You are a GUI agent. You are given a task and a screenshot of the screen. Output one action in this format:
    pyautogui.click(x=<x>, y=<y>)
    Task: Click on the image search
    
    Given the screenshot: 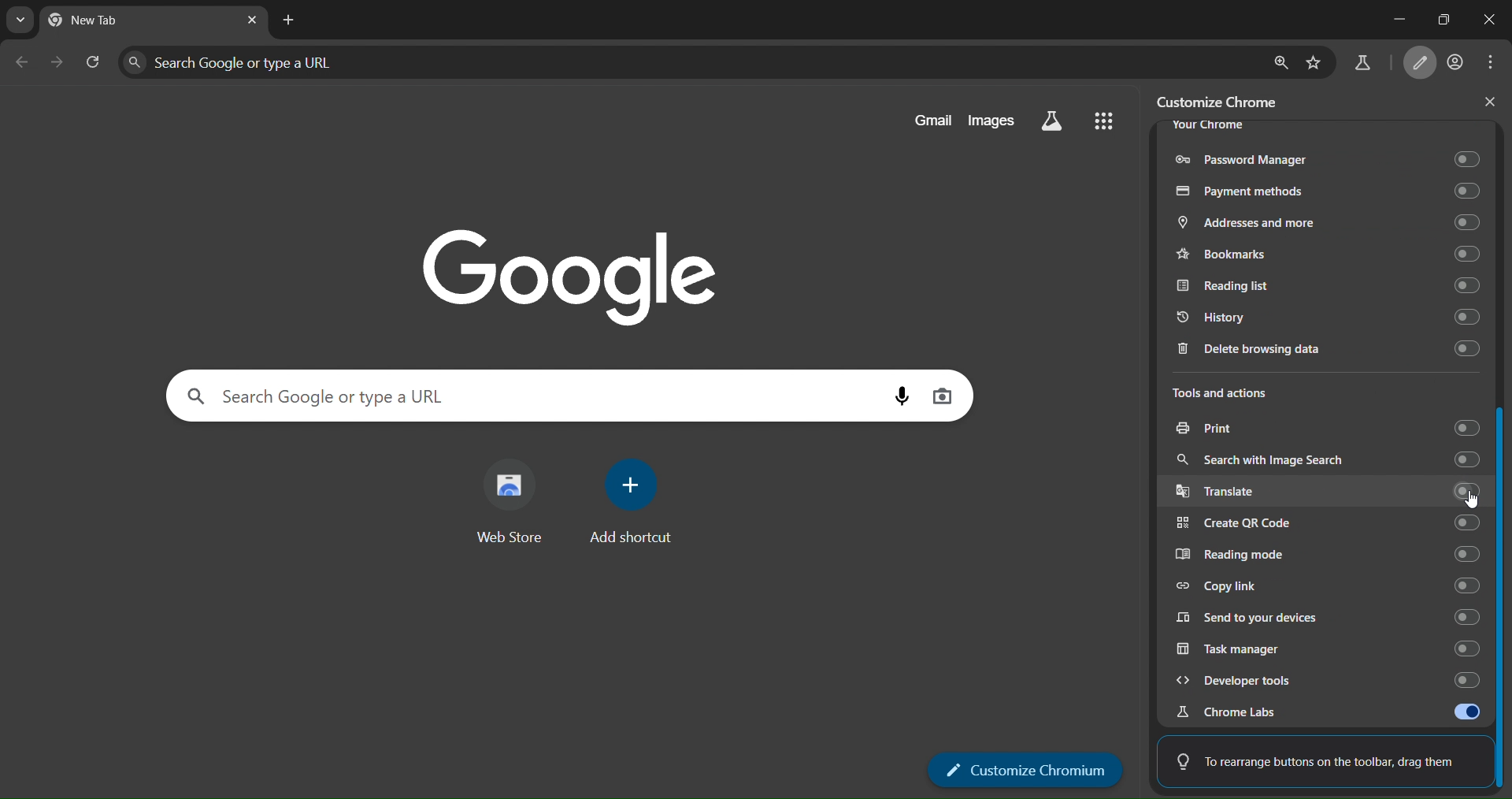 What is the action you would take?
    pyautogui.click(x=943, y=396)
    